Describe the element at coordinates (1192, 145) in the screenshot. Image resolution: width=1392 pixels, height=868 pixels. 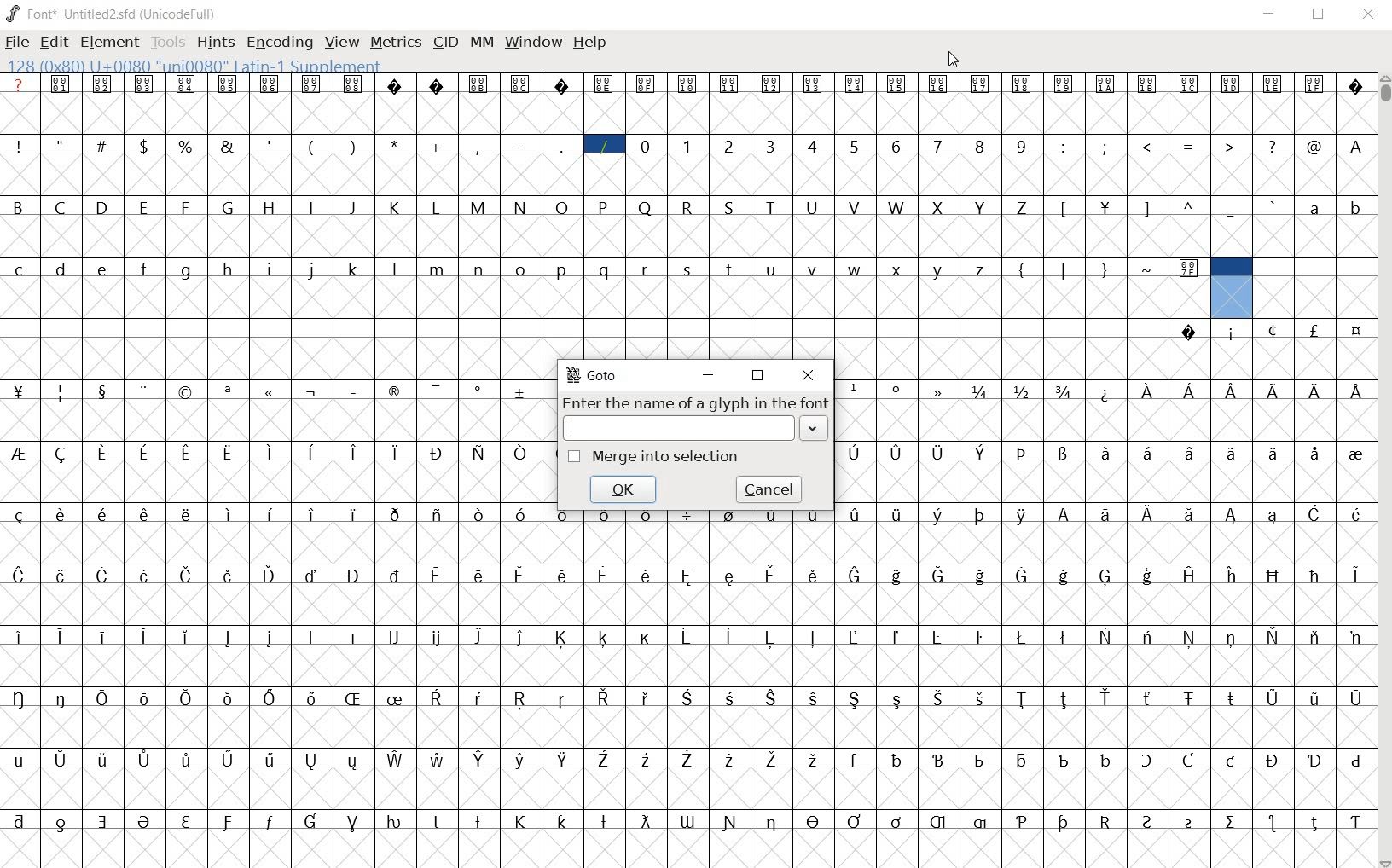
I see `=` at that location.